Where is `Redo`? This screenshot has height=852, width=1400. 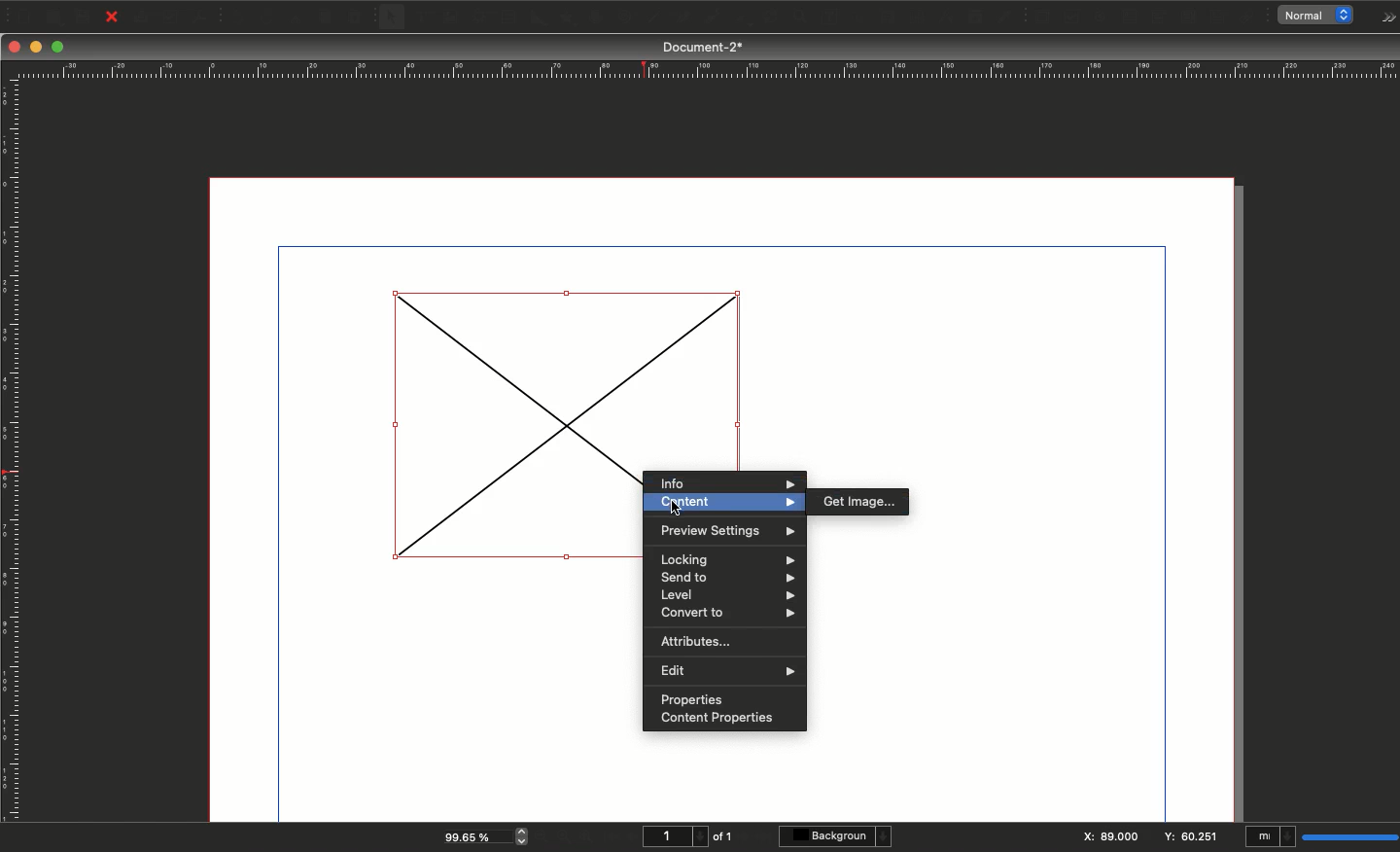
Redo is located at coordinates (267, 18).